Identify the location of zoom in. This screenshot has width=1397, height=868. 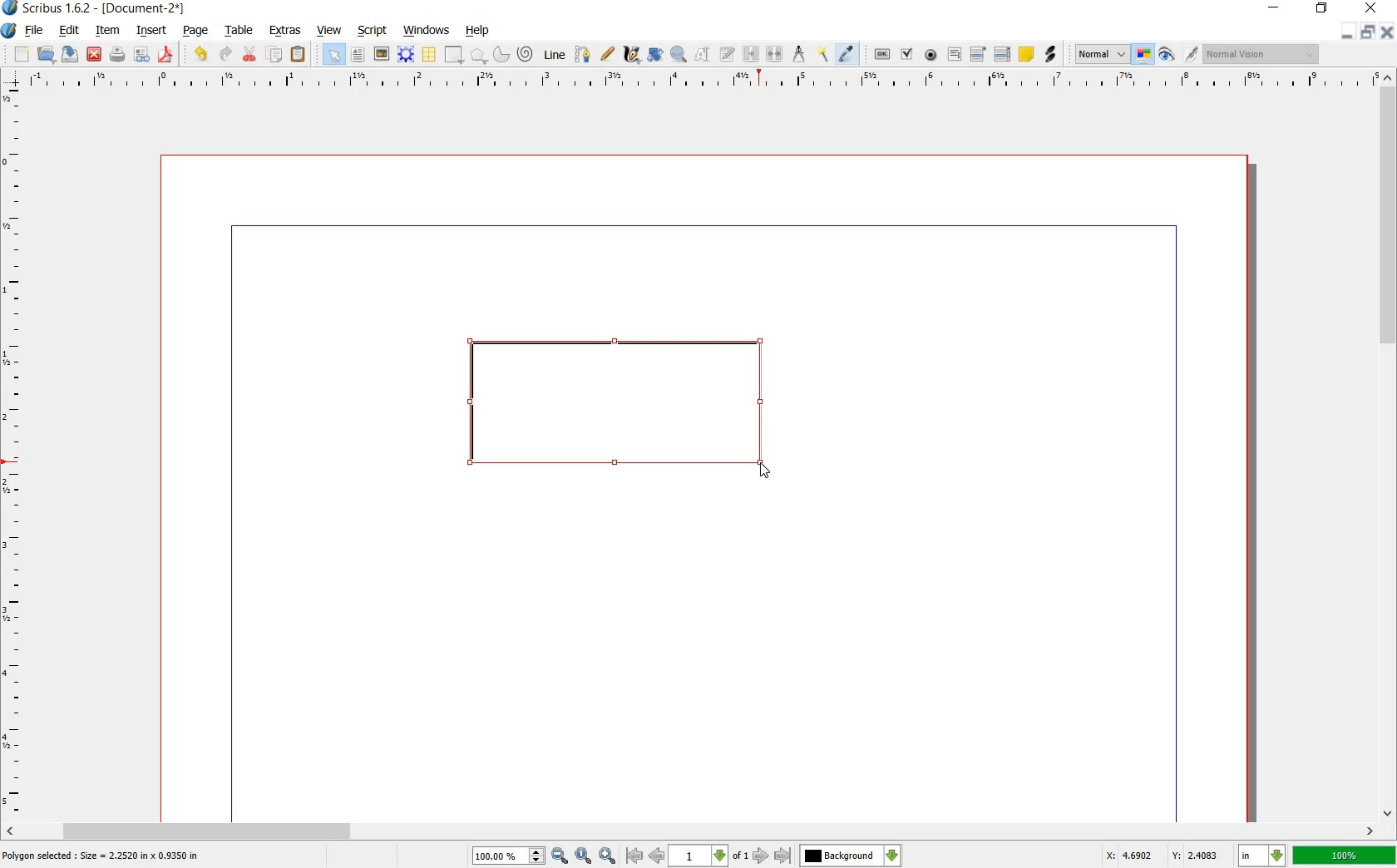
(608, 856).